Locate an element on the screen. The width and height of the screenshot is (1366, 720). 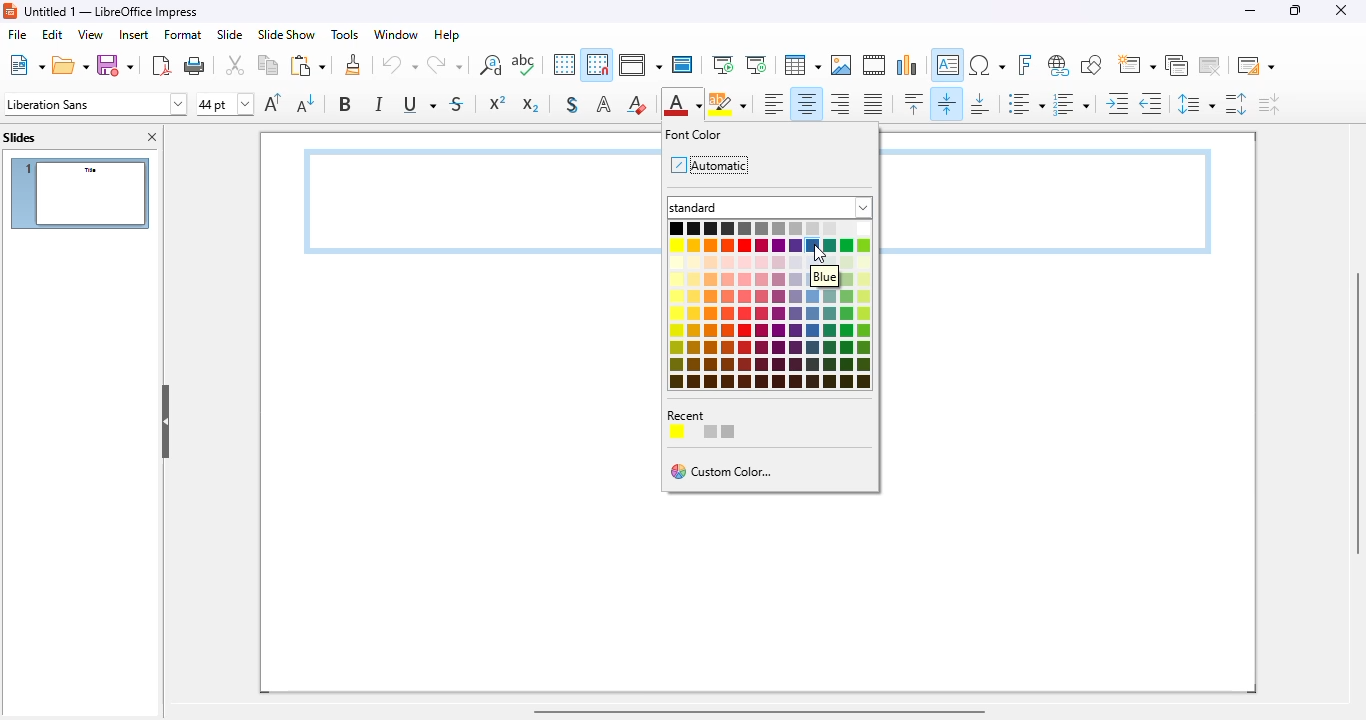
redo is located at coordinates (445, 64).